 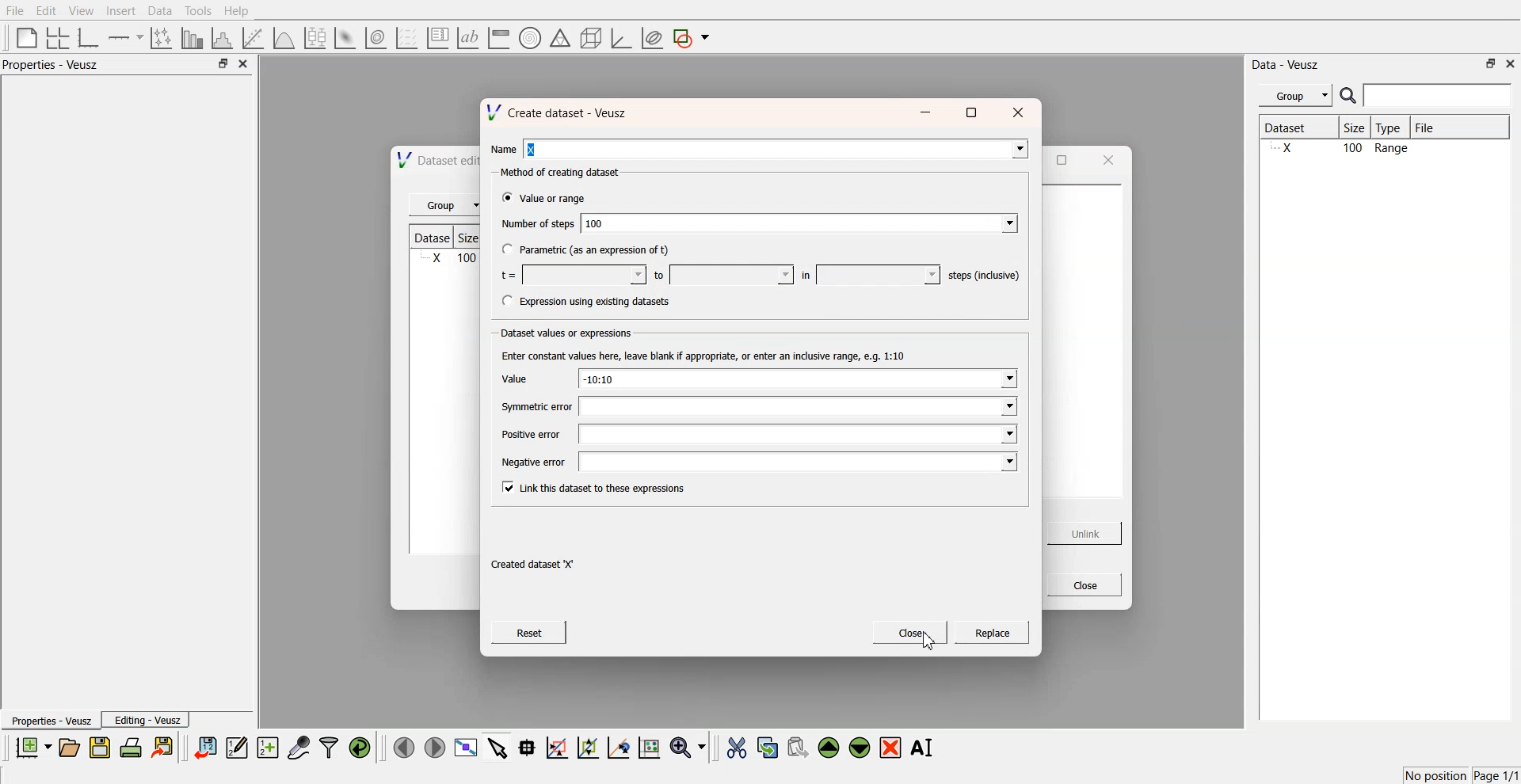 What do you see at coordinates (192, 39) in the screenshot?
I see `plot bar chart` at bounding box center [192, 39].